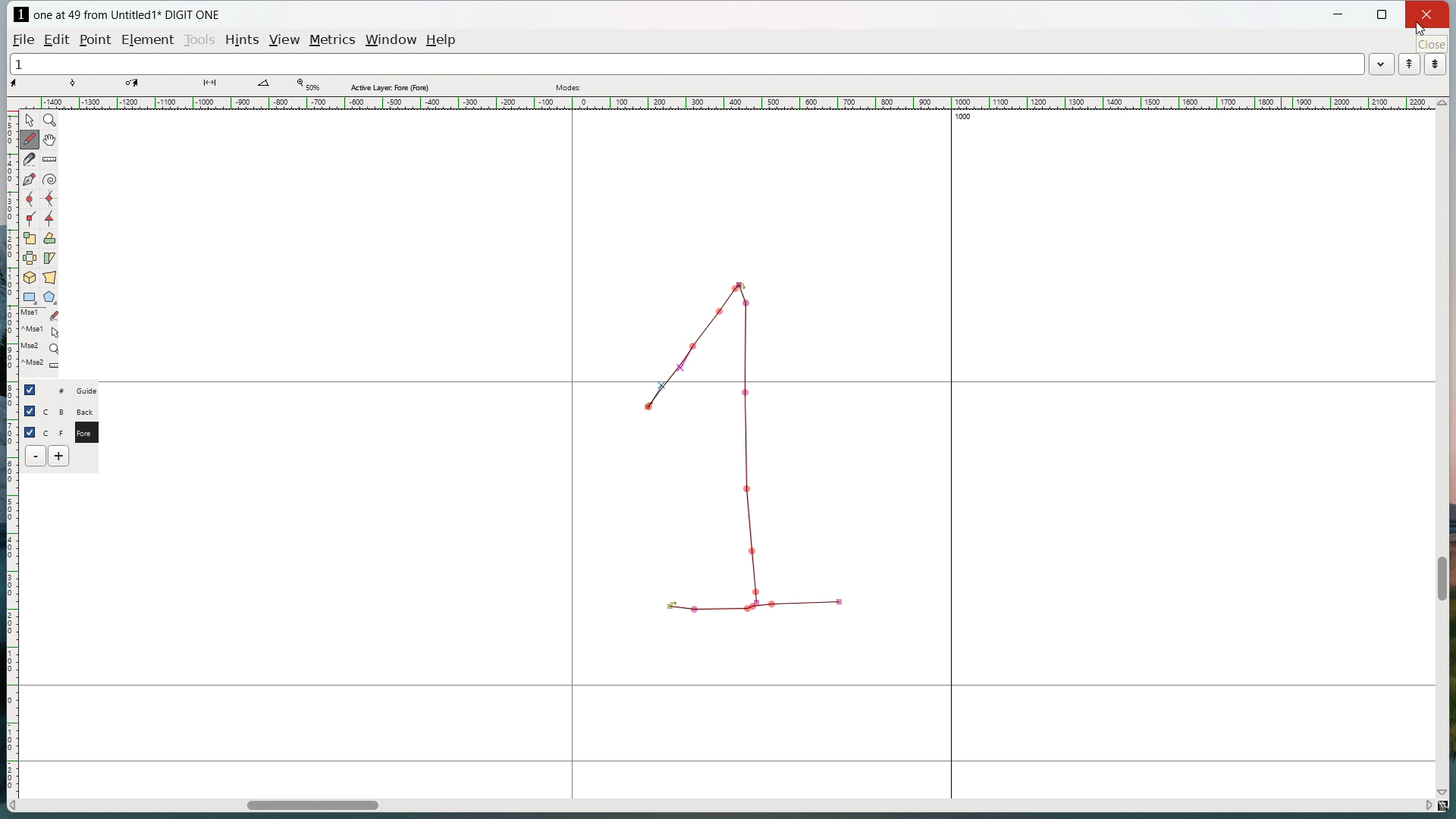  What do you see at coordinates (20, 14) in the screenshot?
I see `logo` at bounding box center [20, 14].